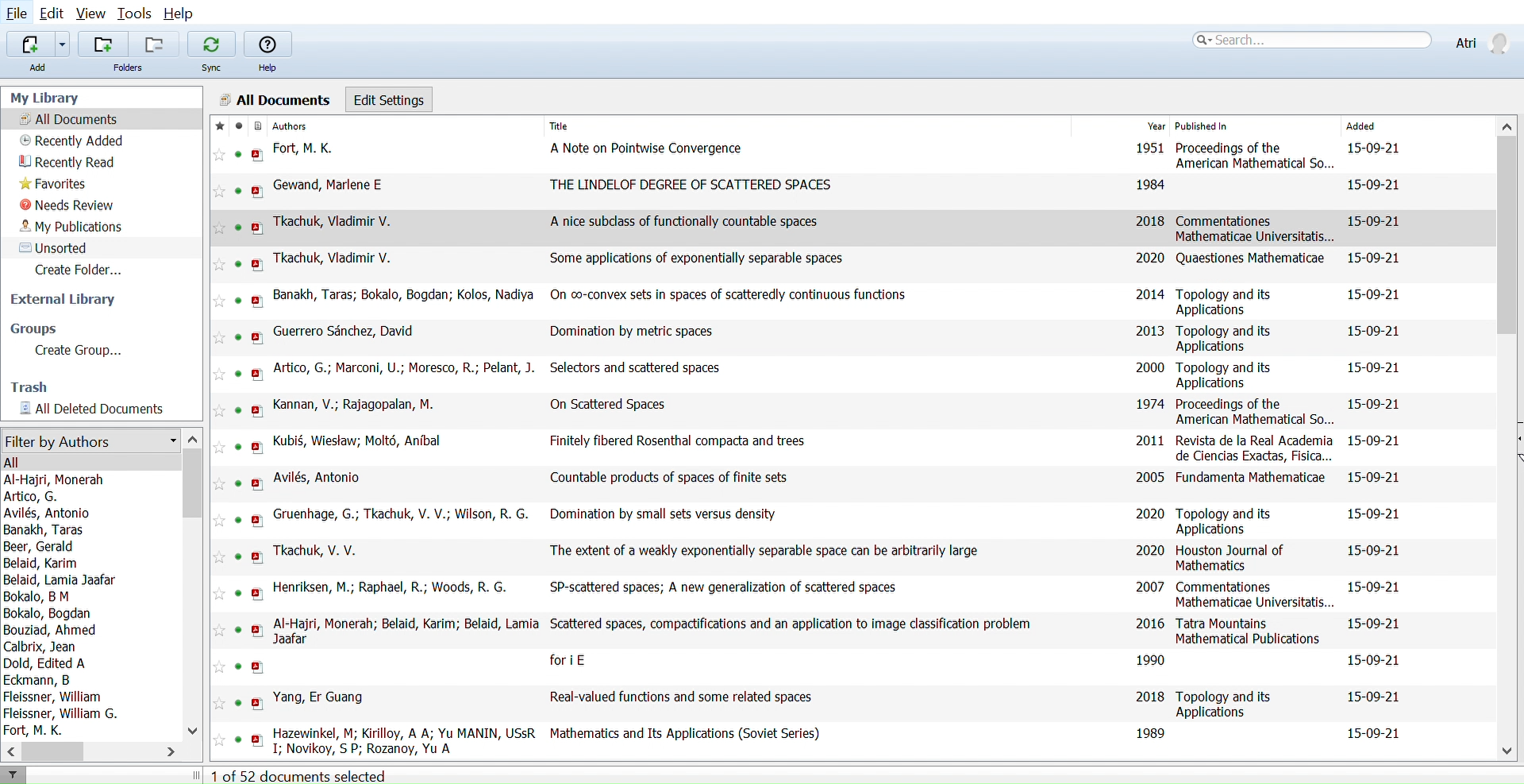 This screenshot has height=784, width=1524. Describe the element at coordinates (1515, 440) in the screenshot. I see `Open sidebar` at that location.